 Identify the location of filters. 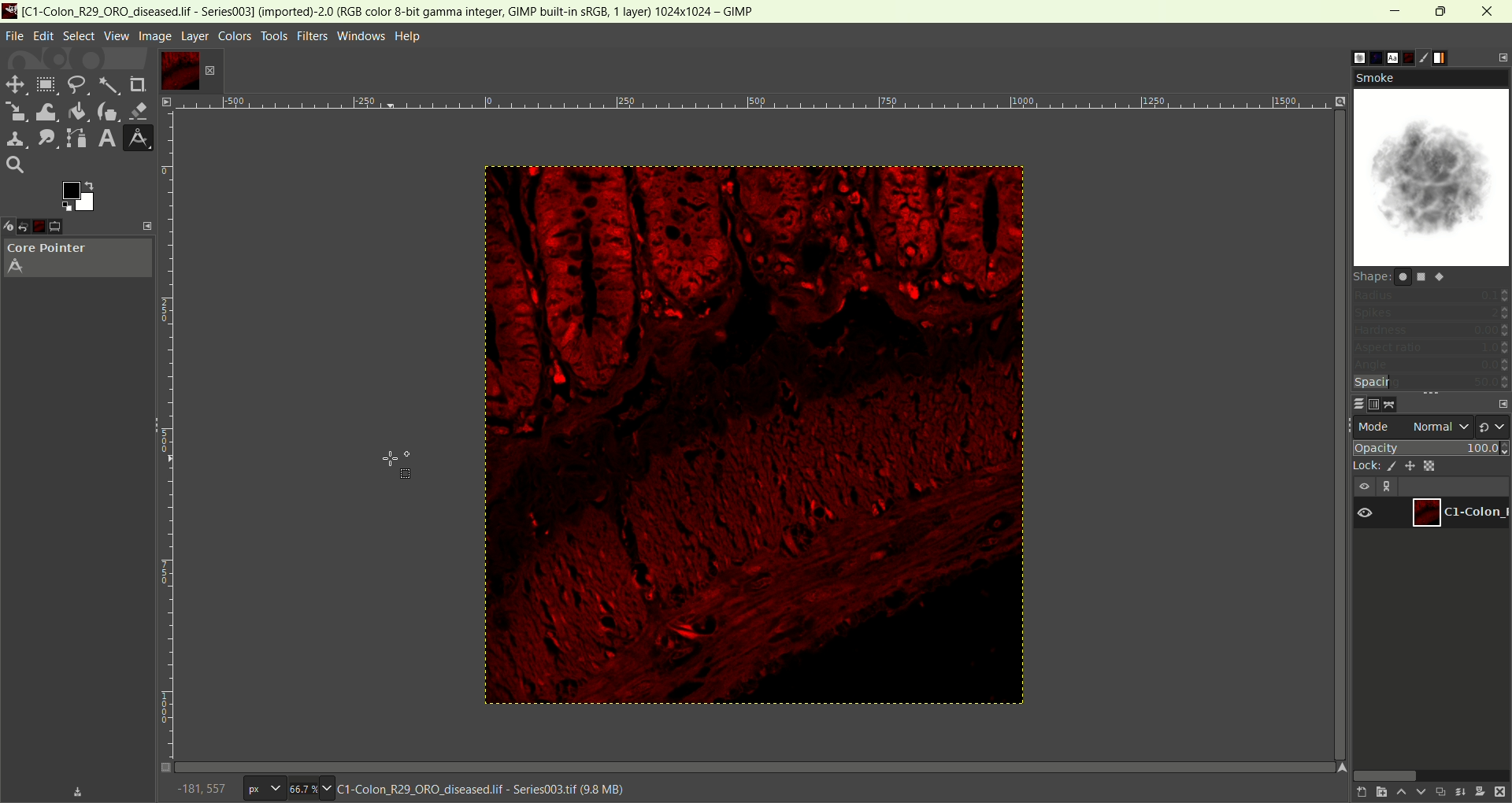
(313, 36).